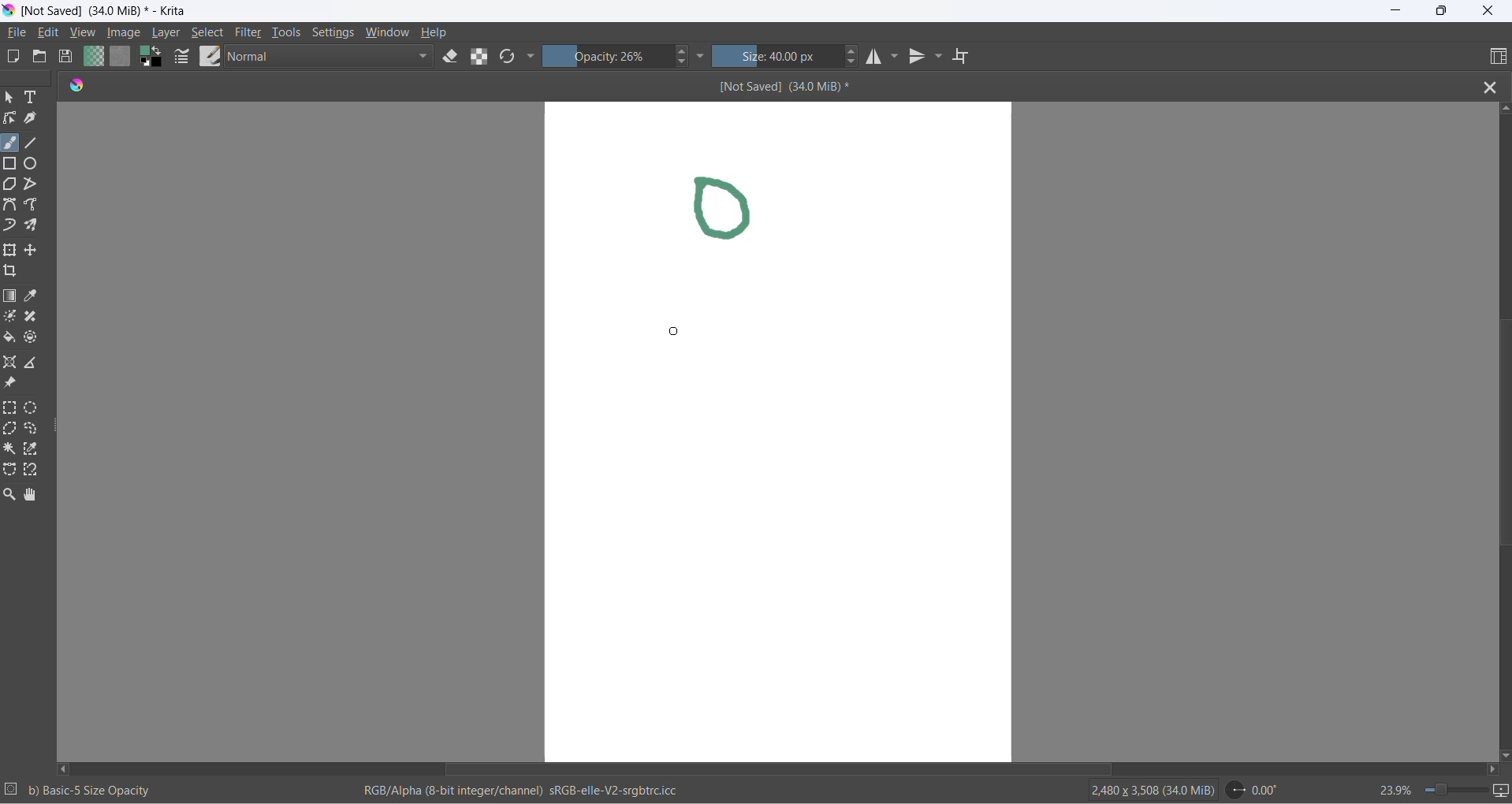 The image size is (1512, 804). Describe the element at coordinates (39, 164) in the screenshot. I see `ellipse tool` at that location.